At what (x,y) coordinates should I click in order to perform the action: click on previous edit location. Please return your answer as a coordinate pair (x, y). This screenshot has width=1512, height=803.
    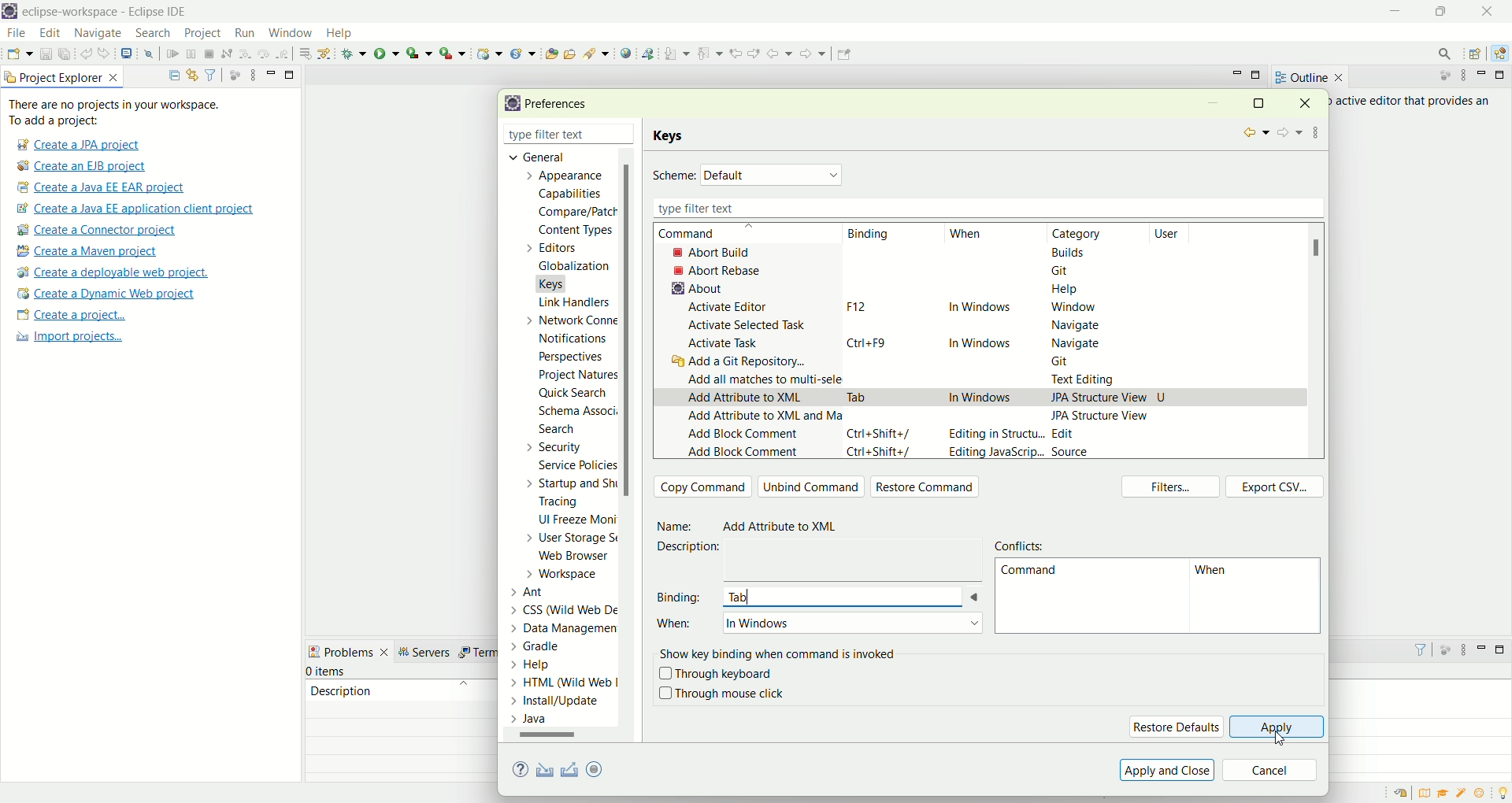
    Looking at the image, I should click on (739, 54).